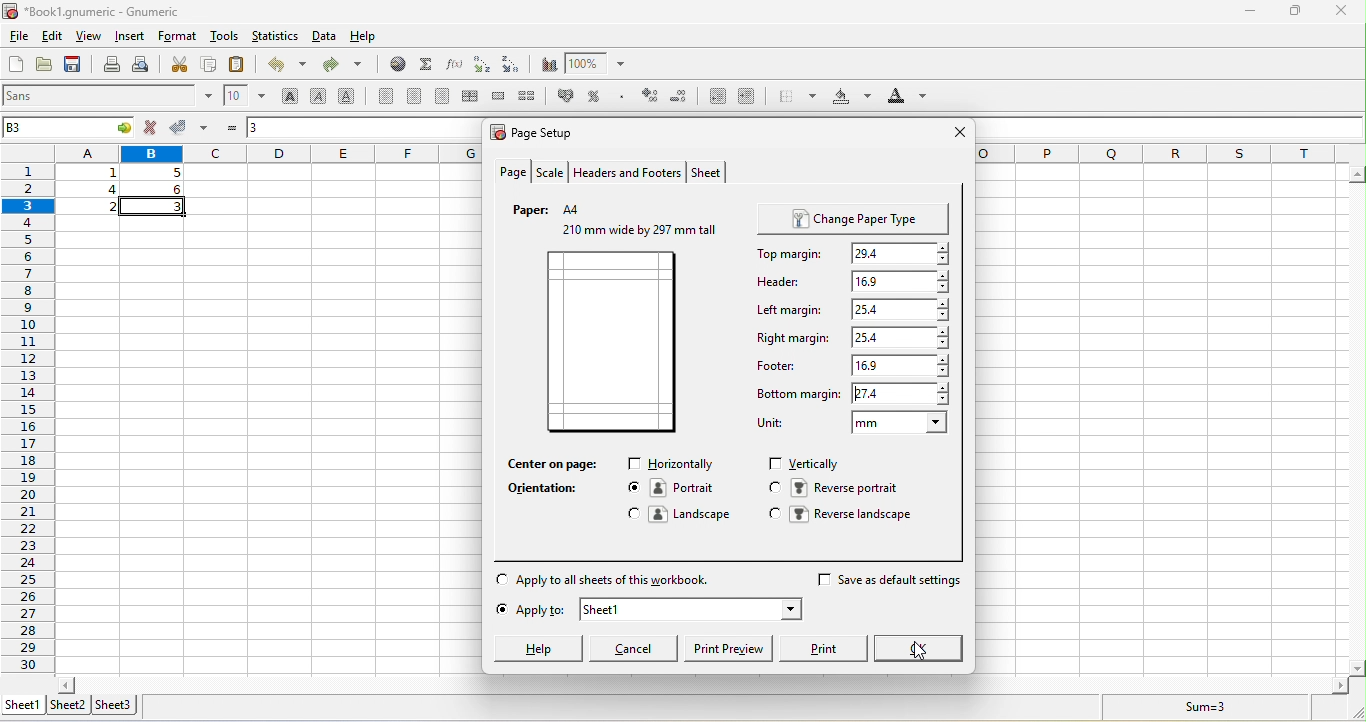 The image size is (1366, 722). I want to click on cut, so click(178, 65).